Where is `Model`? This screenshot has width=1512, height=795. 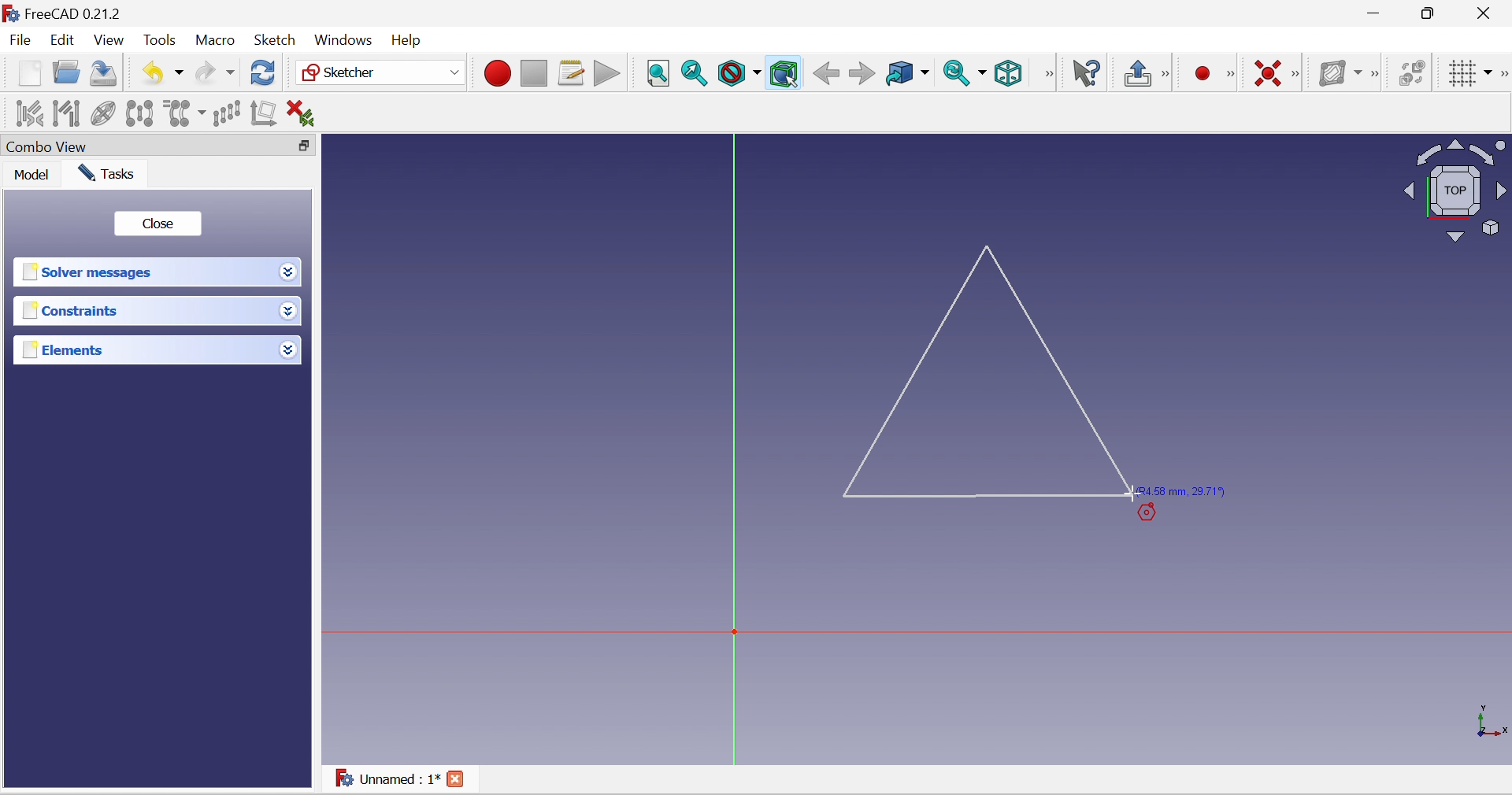
Model is located at coordinates (28, 175).